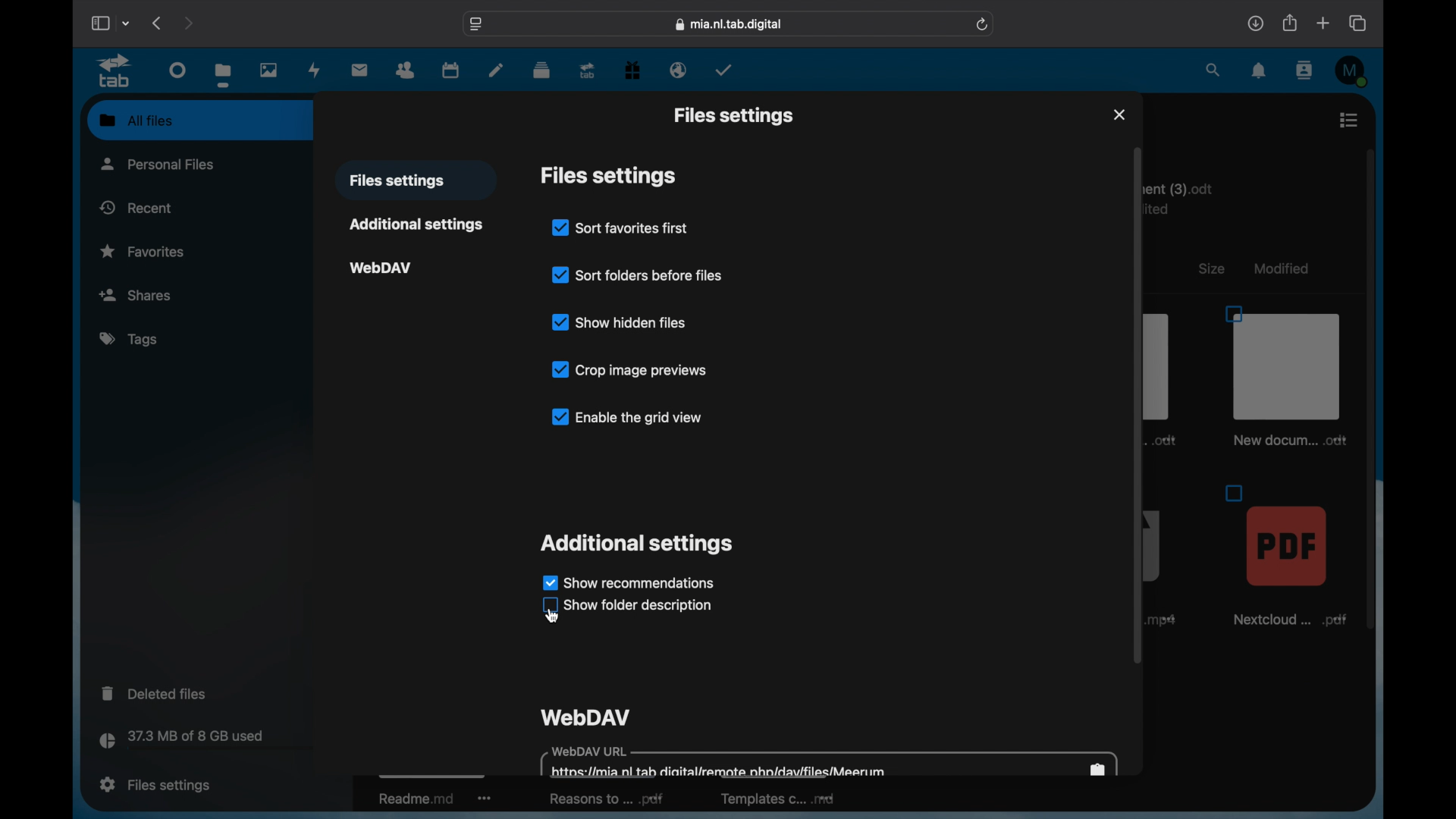 The height and width of the screenshot is (819, 1456). What do you see at coordinates (1214, 69) in the screenshot?
I see `search` at bounding box center [1214, 69].